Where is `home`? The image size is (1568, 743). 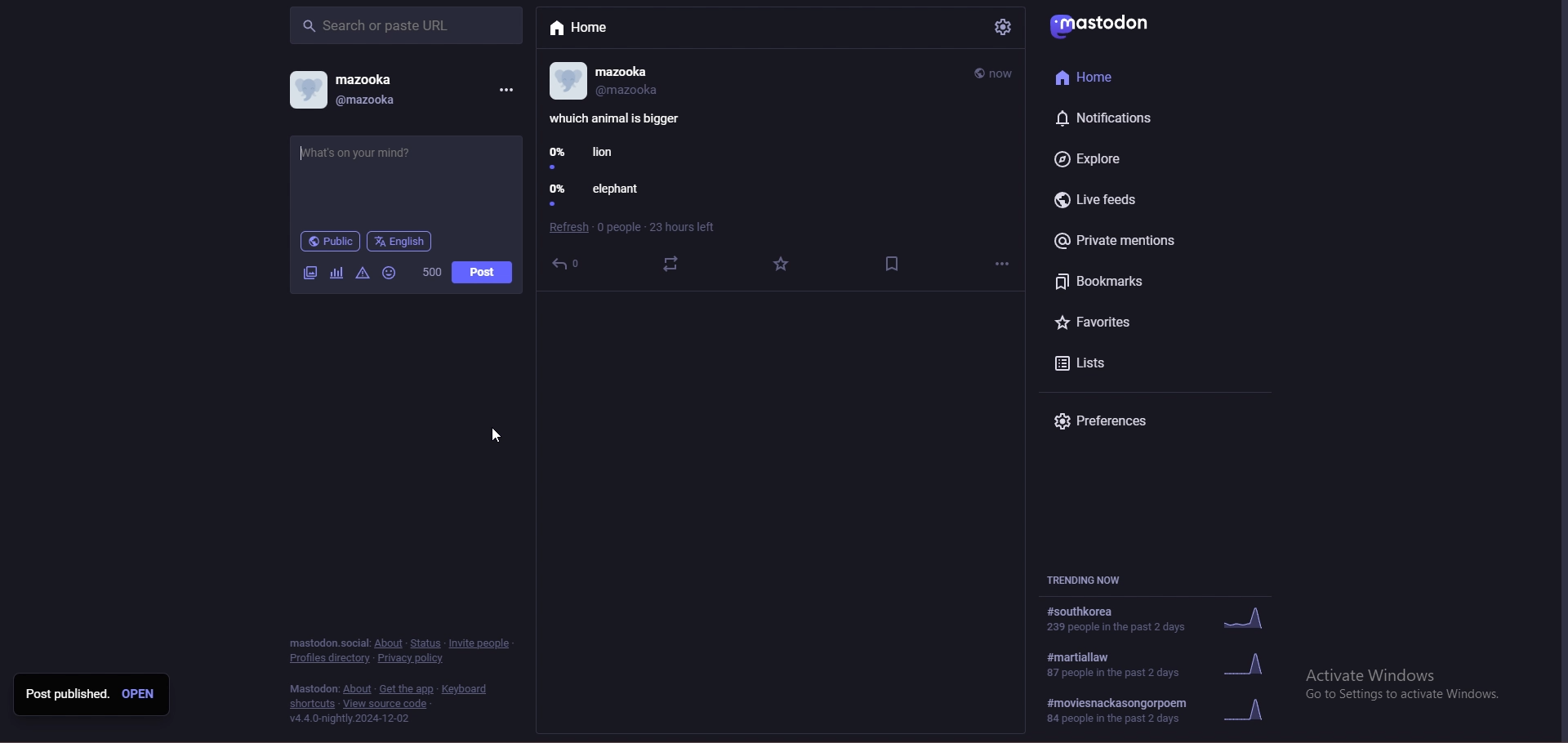
home is located at coordinates (595, 29).